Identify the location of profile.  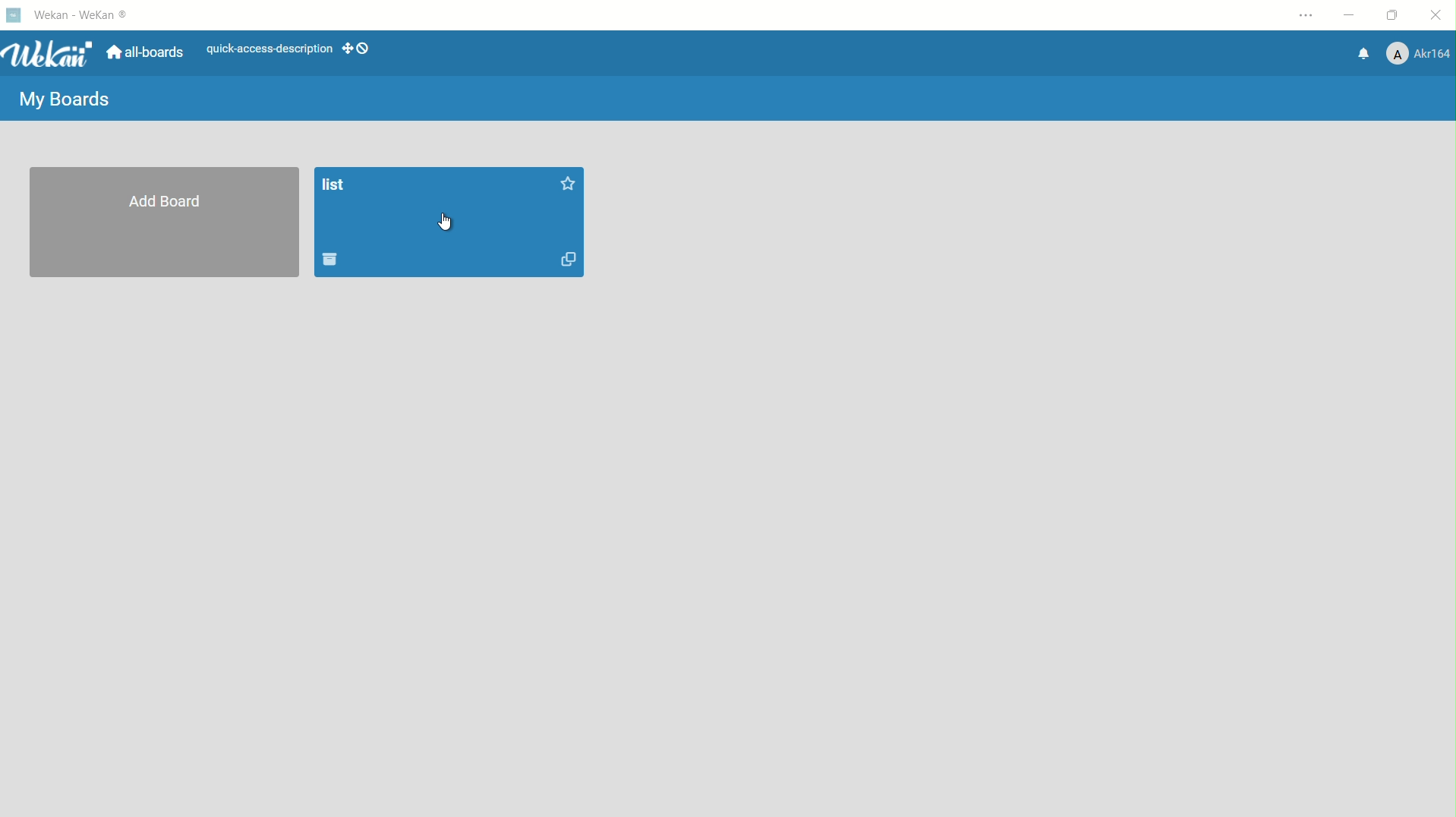
(1419, 54).